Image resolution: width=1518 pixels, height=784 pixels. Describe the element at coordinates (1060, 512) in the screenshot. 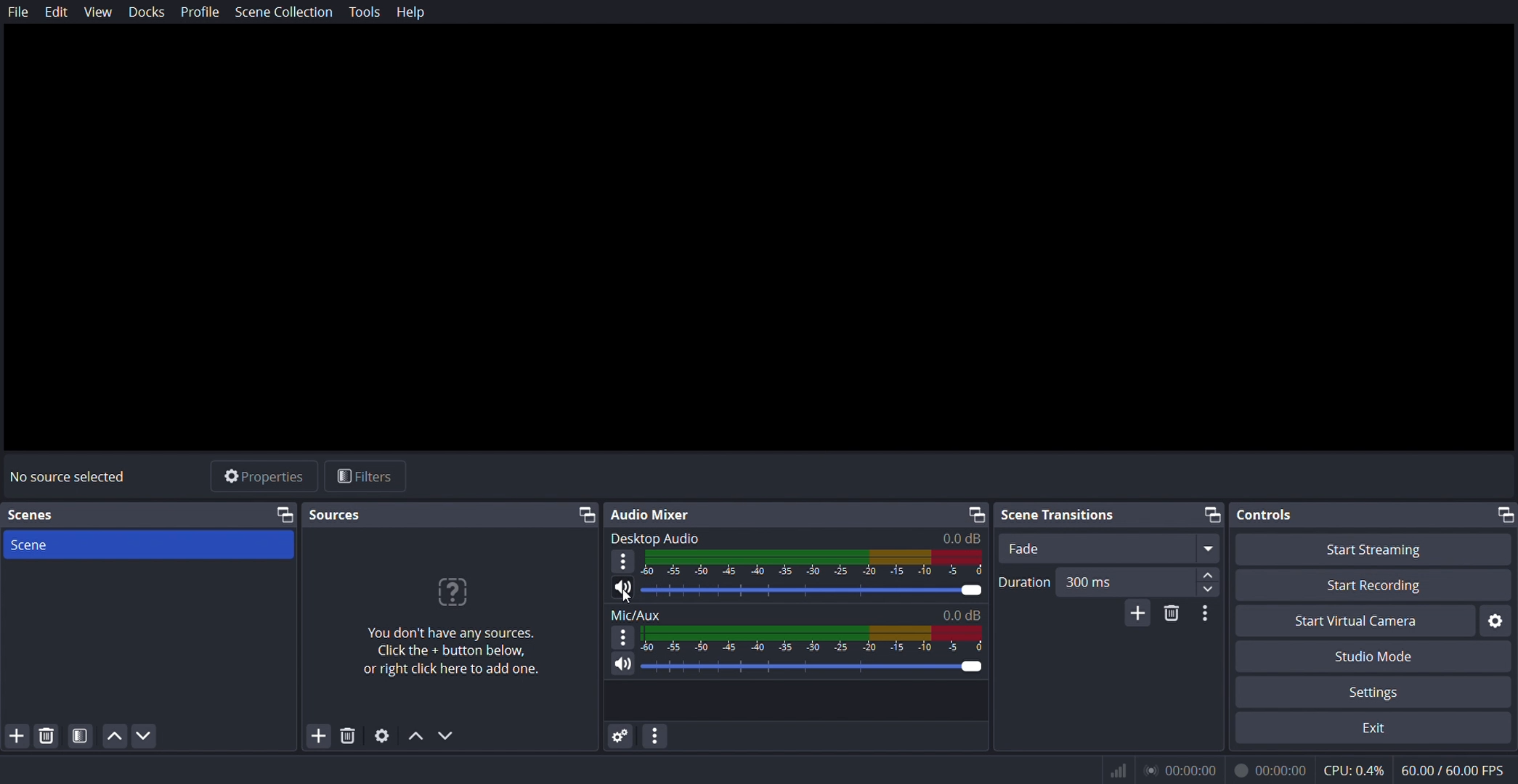

I see `scene transitions` at that location.